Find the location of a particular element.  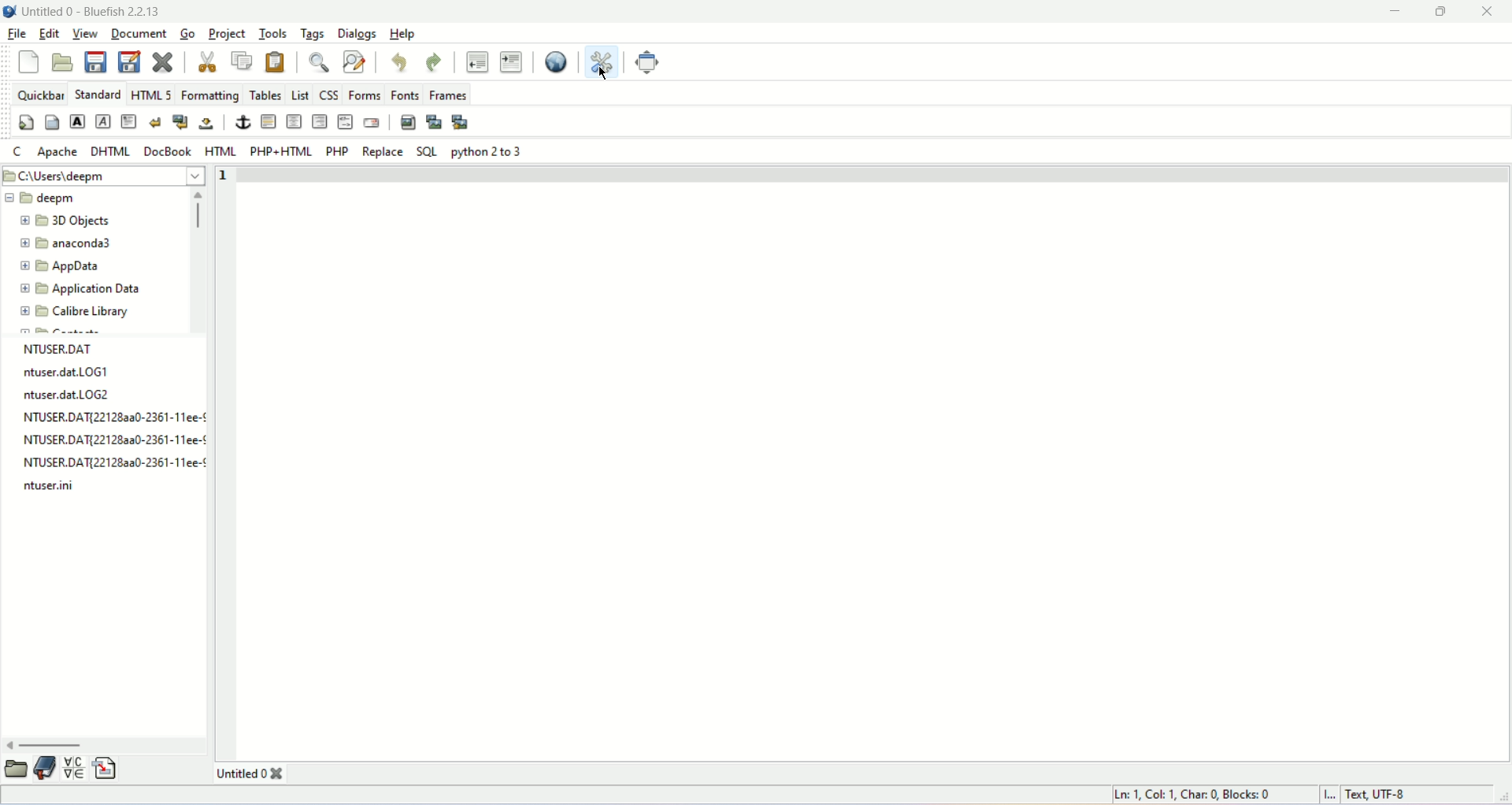

quickstart is located at coordinates (27, 123).